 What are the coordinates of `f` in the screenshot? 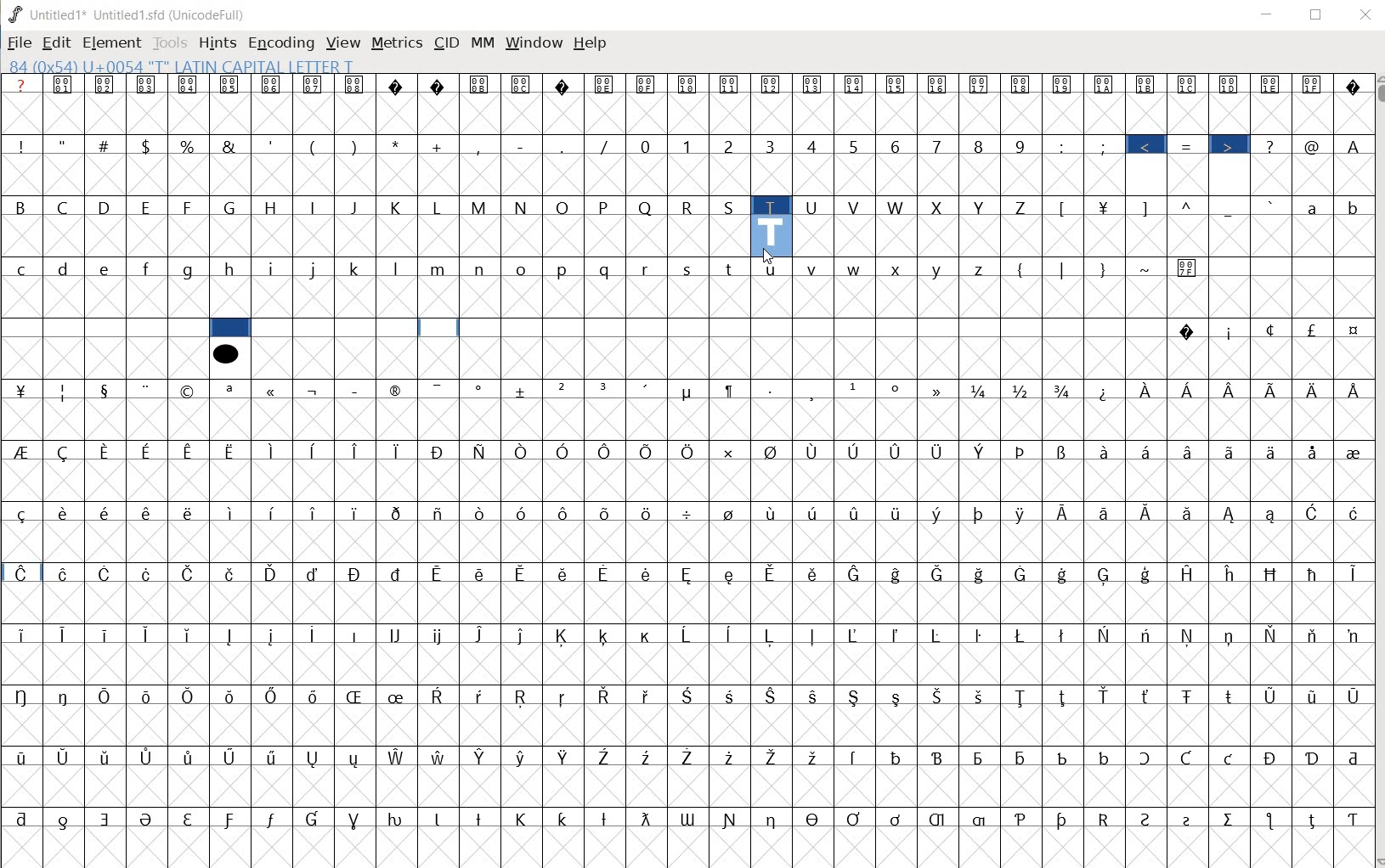 It's located at (148, 269).